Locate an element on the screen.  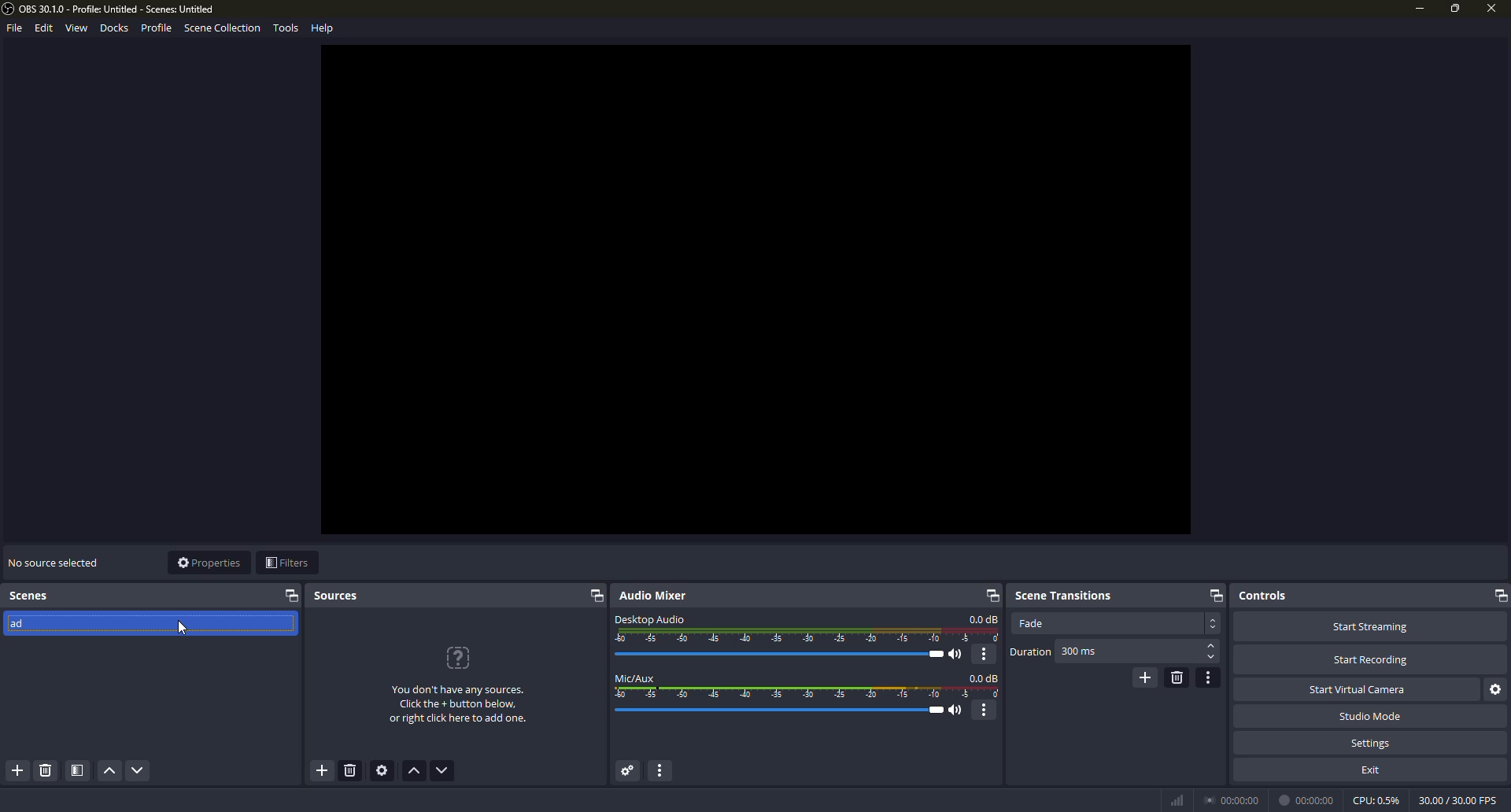
remove configurable transition is located at coordinates (1177, 677).